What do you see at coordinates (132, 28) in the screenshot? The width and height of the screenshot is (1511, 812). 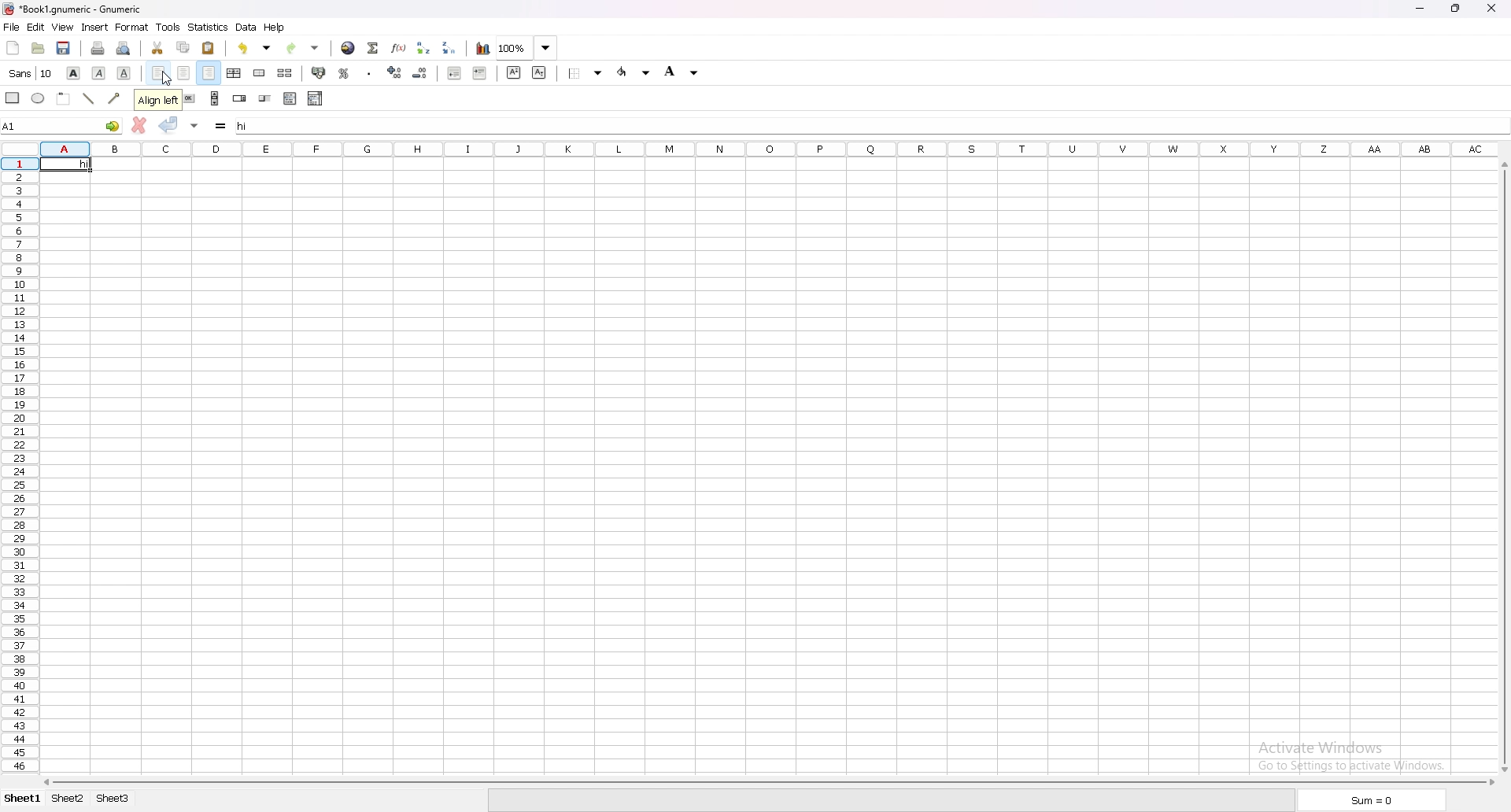 I see `format` at bounding box center [132, 28].